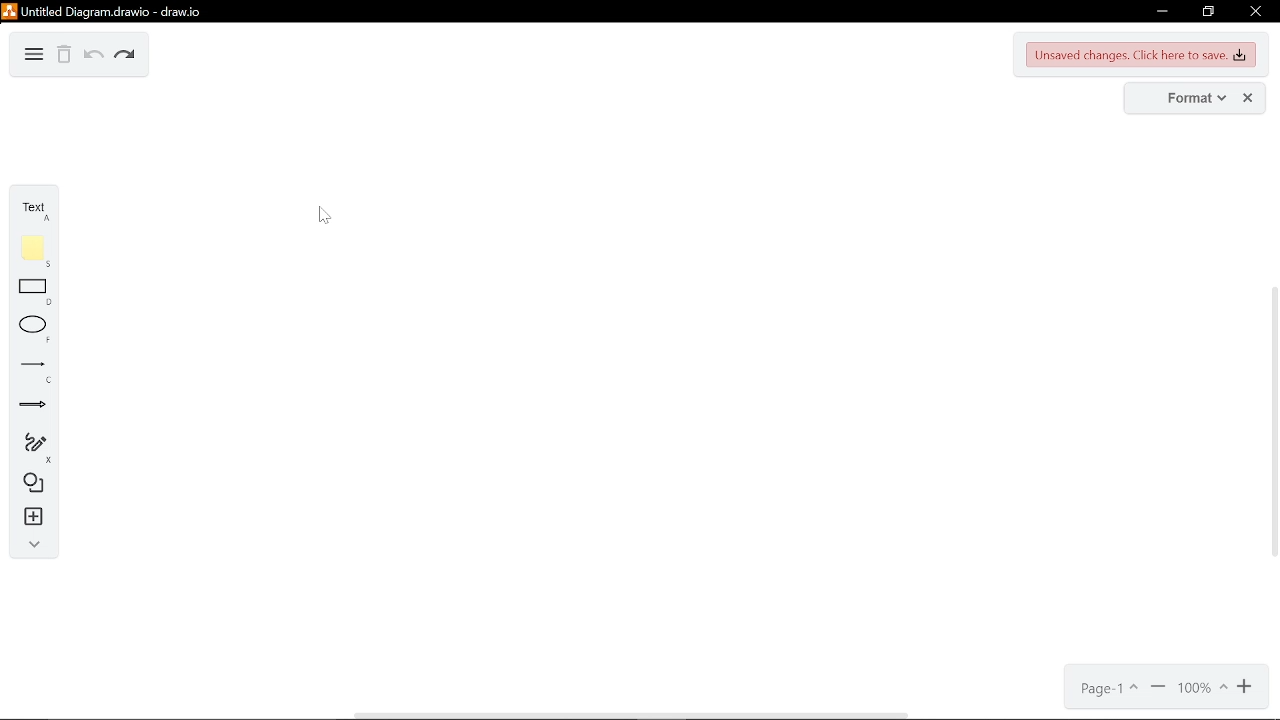  I want to click on untitled diagram.drawio - draw.io, so click(114, 10).